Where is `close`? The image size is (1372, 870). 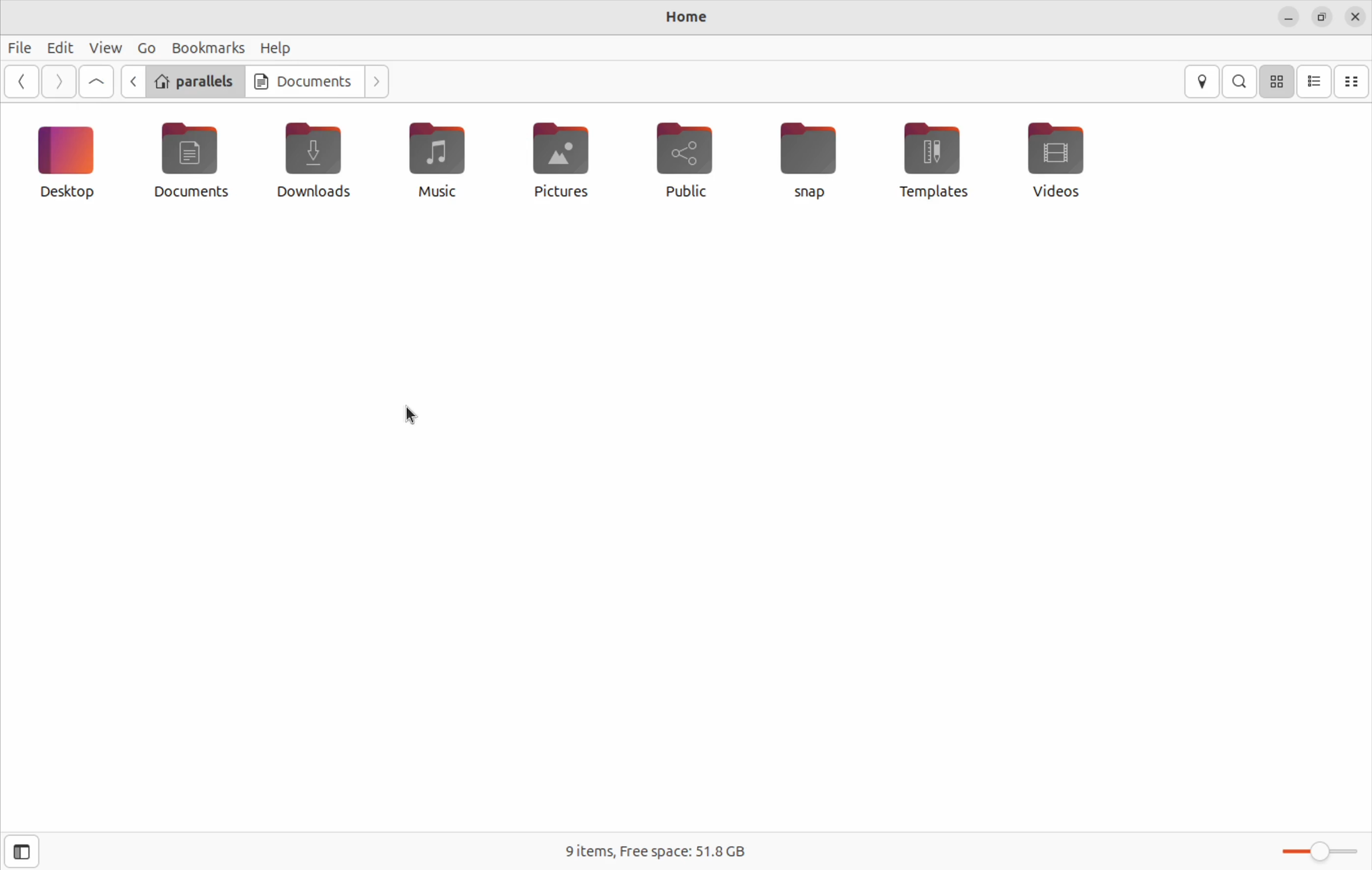
close is located at coordinates (1357, 15).